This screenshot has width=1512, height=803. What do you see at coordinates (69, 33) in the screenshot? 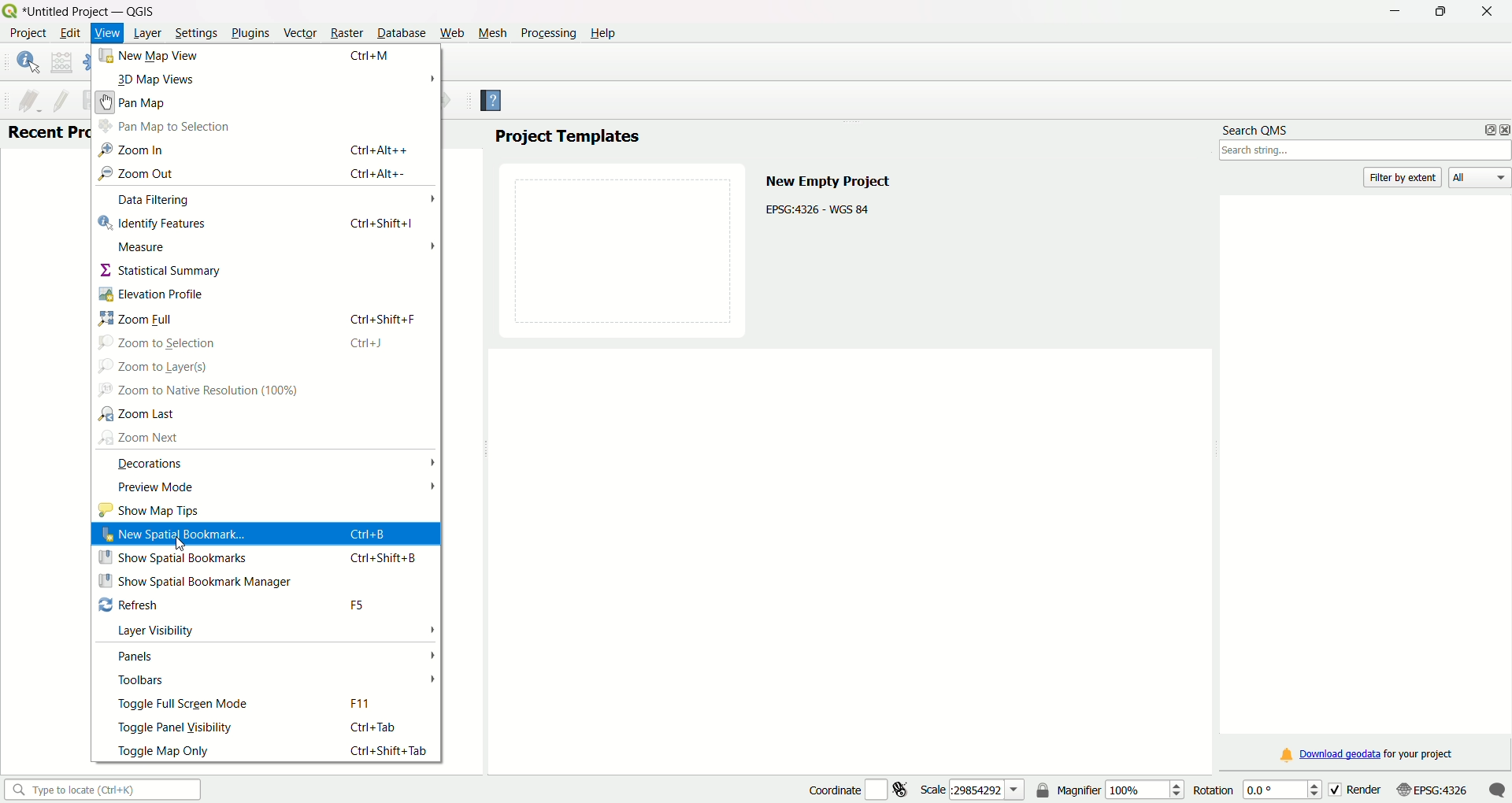
I see `Edit` at bounding box center [69, 33].